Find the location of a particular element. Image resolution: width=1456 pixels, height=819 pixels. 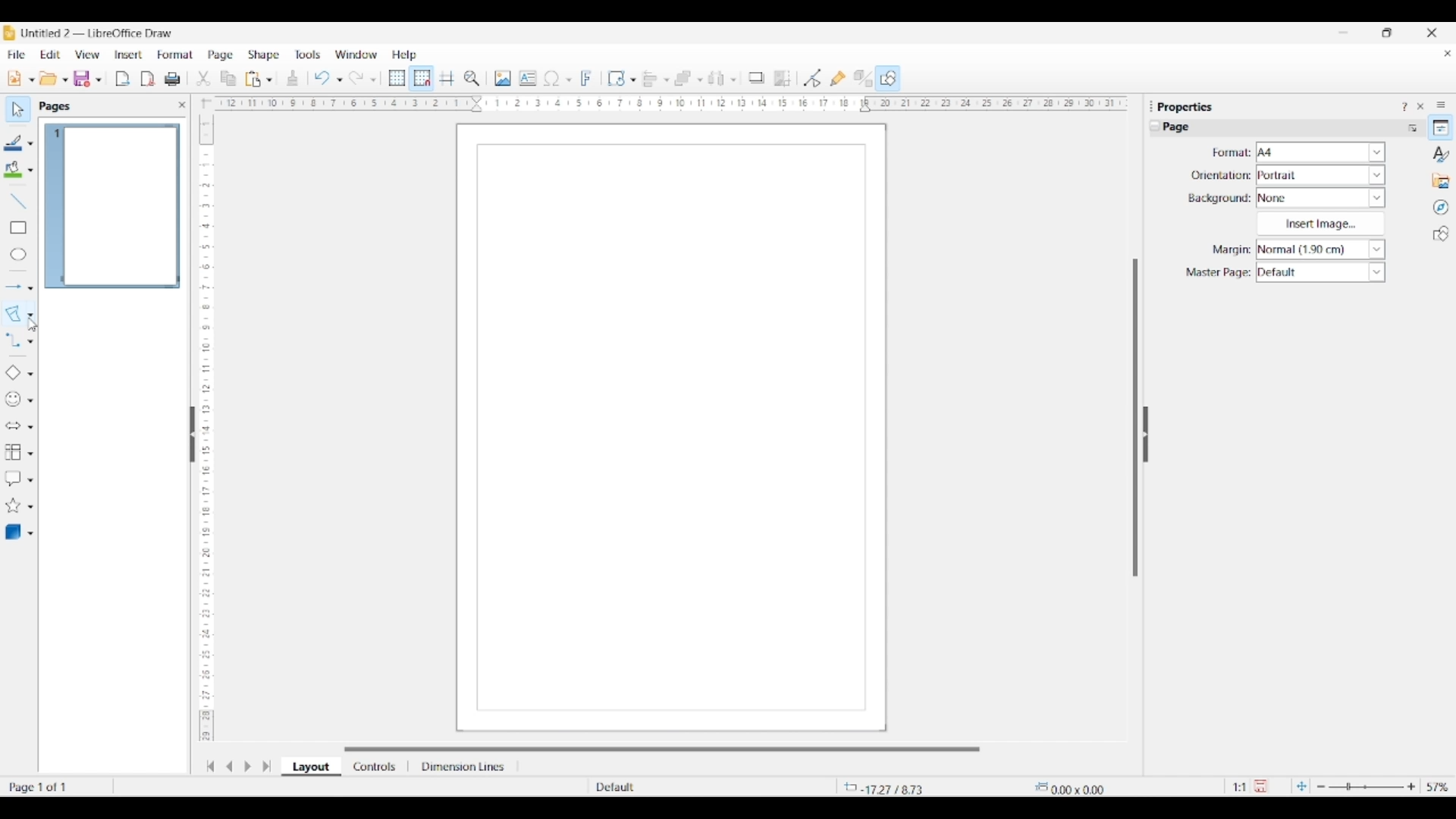

Background options is located at coordinates (1321, 198).